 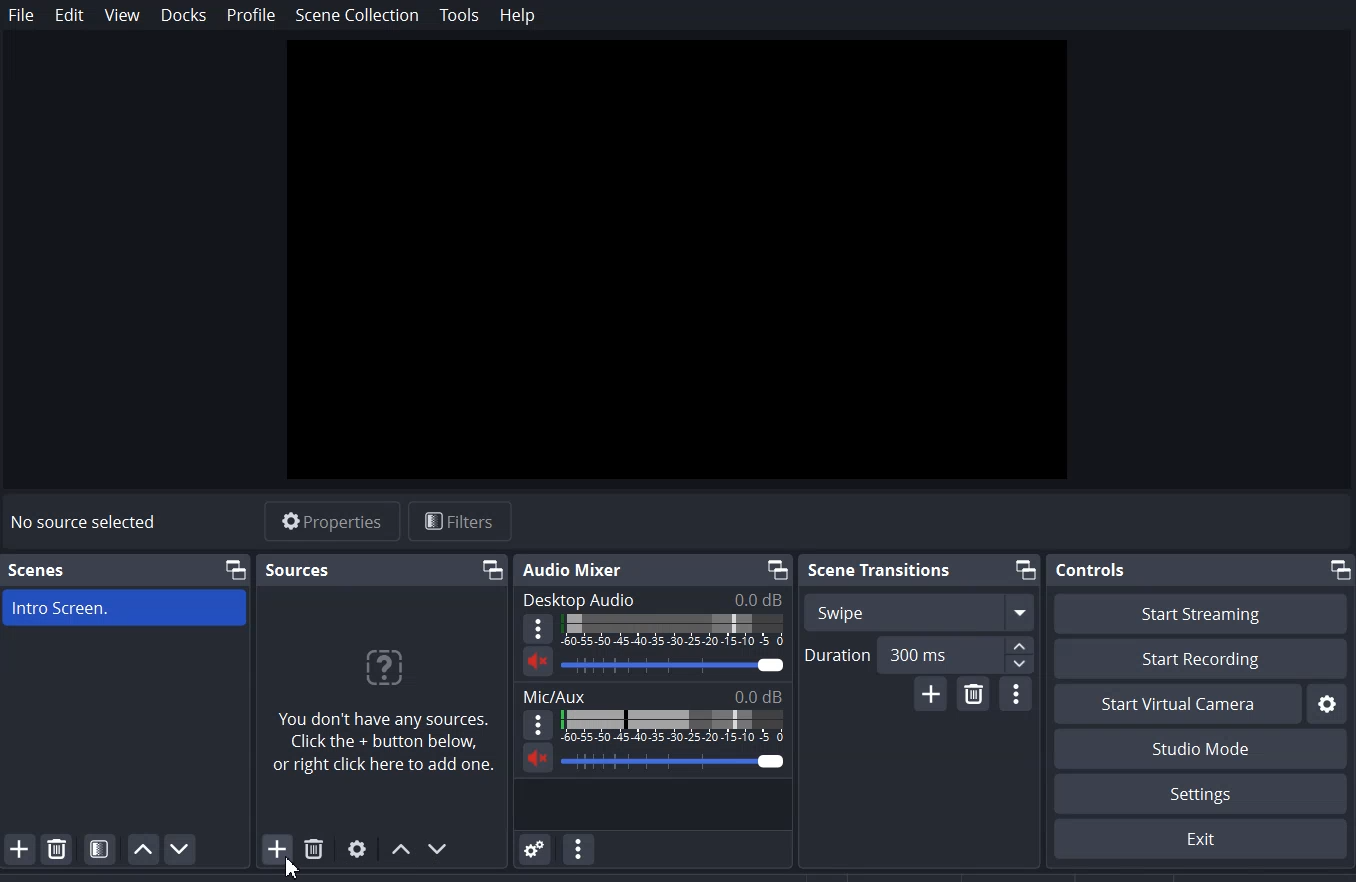 What do you see at coordinates (314, 849) in the screenshot?
I see `Remove Selected Source` at bounding box center [314, 849].